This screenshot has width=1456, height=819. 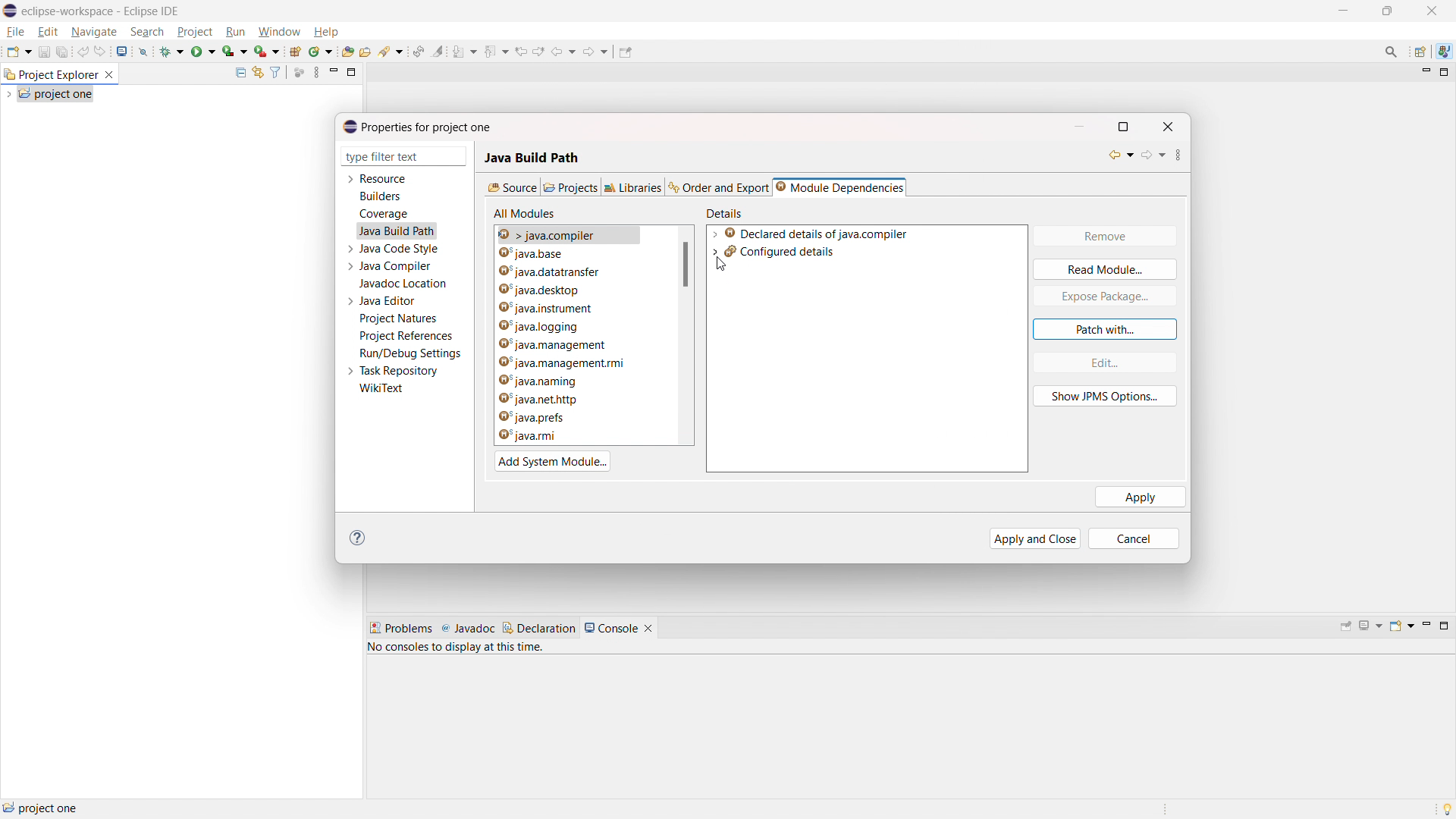 What do you see at coordinates (350, 301) in the screenshot?
I see `expand java editor` at bounding box center [350, 301].